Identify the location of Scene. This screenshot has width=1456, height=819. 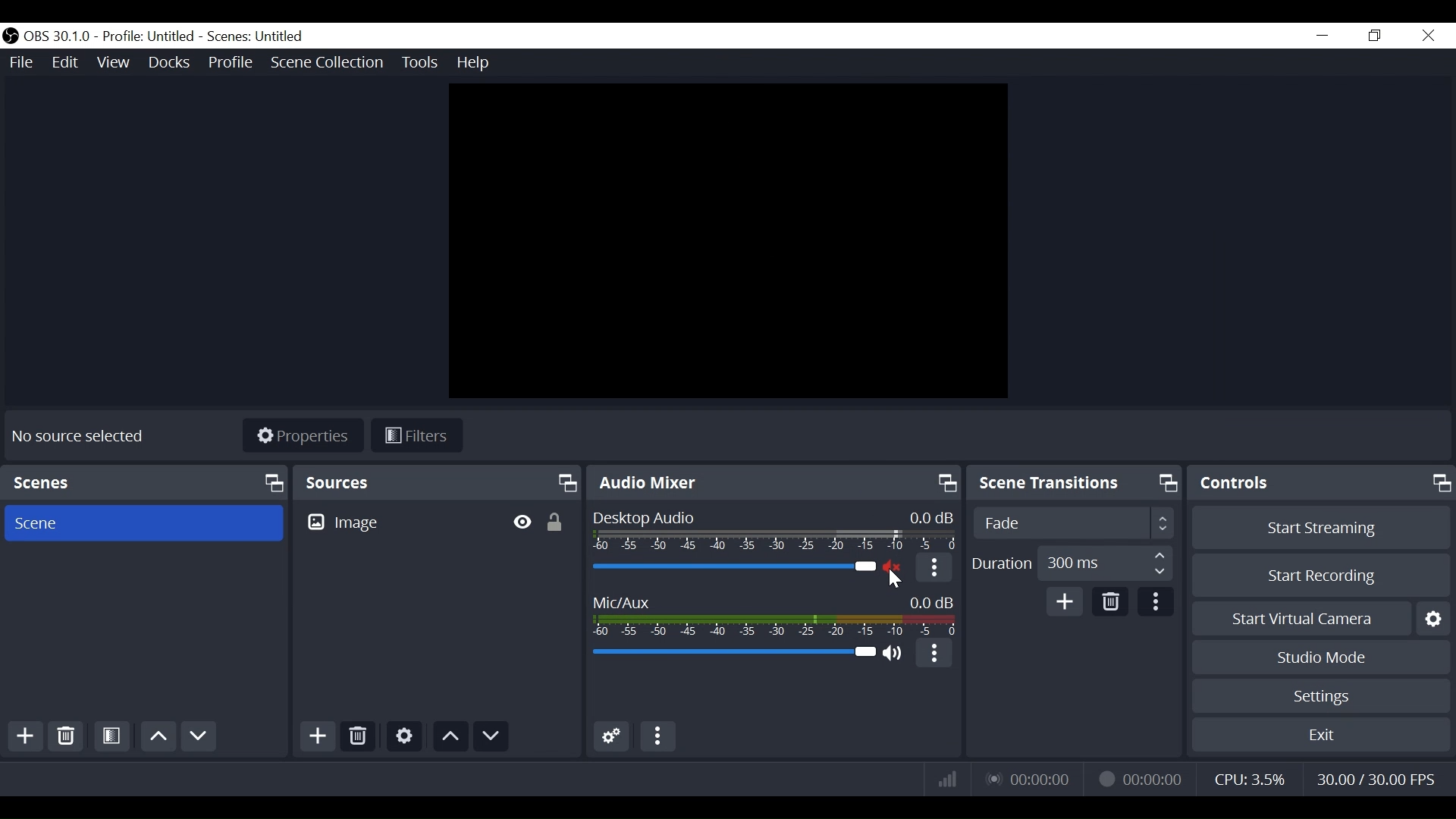
(141, 524).